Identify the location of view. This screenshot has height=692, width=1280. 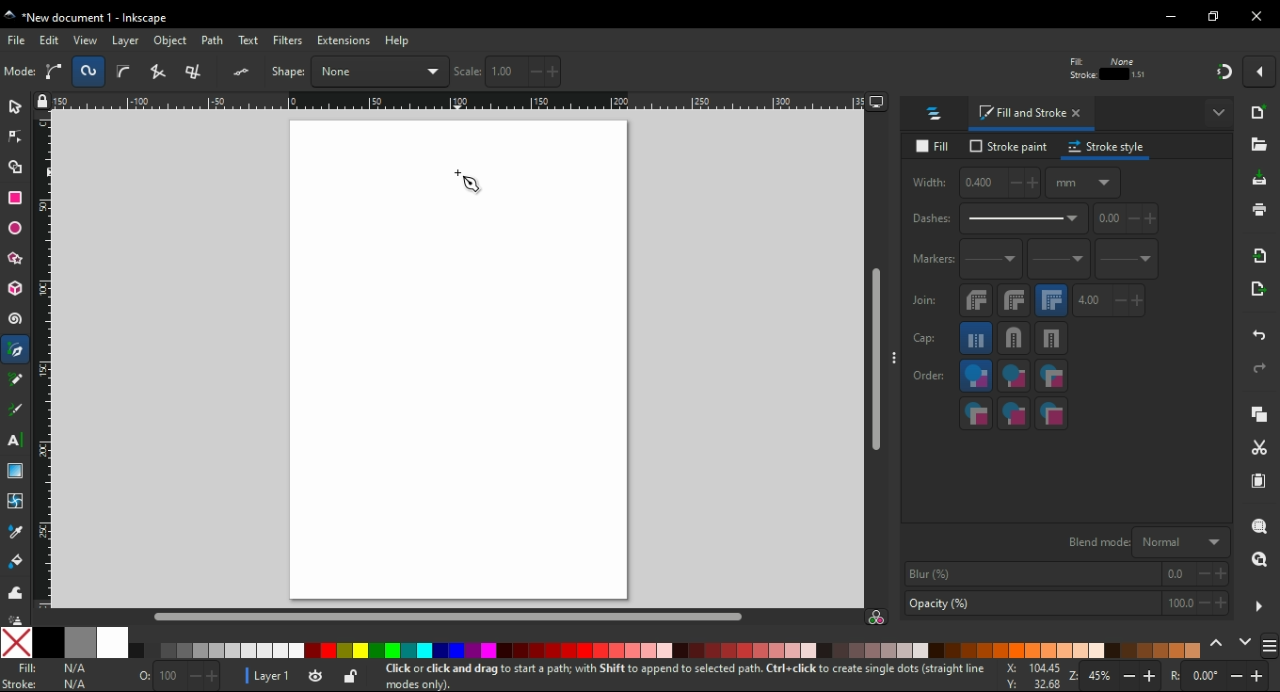
(86, 40).